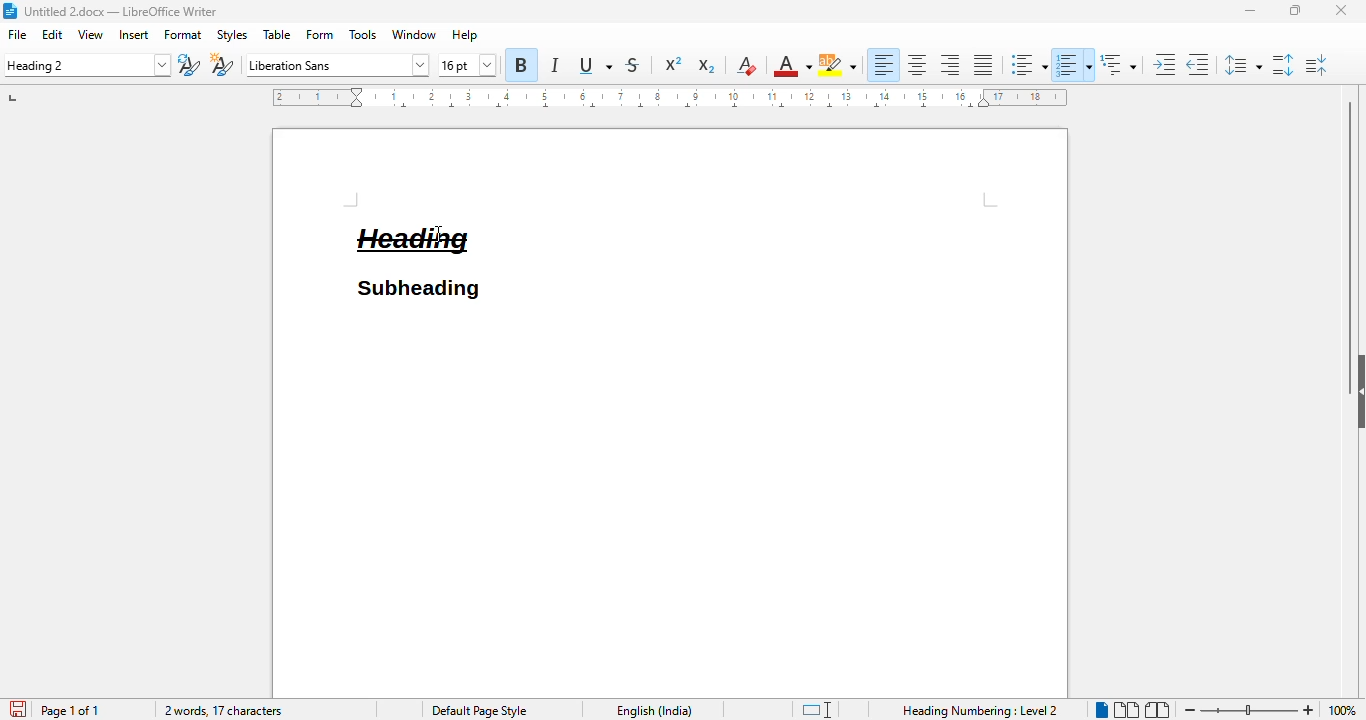  Describe the element at coordinates (1357, 391) in the screenshot. I see `show` at that location.